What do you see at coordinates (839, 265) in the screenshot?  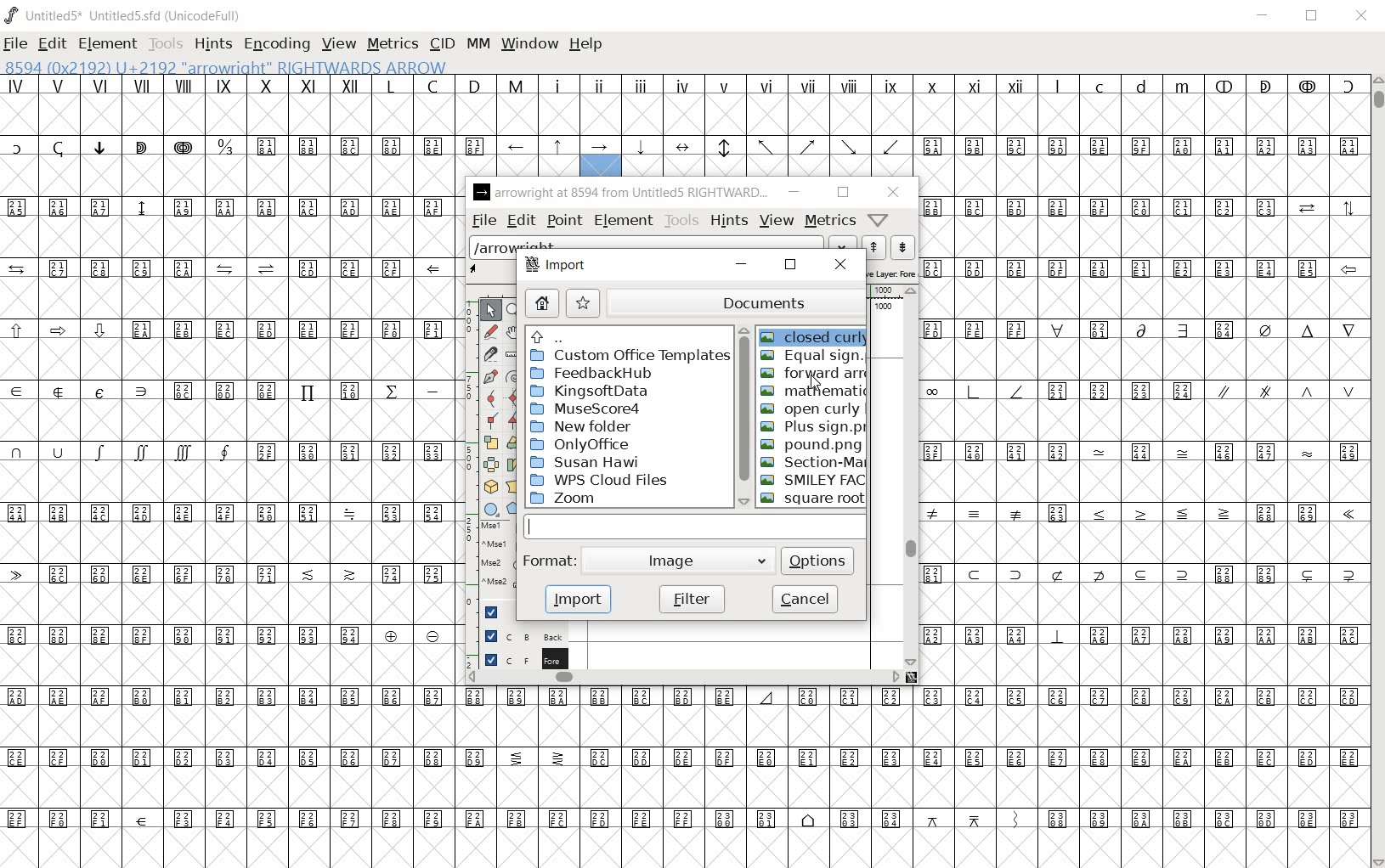 I see `close` at bounding box center [839, 265].